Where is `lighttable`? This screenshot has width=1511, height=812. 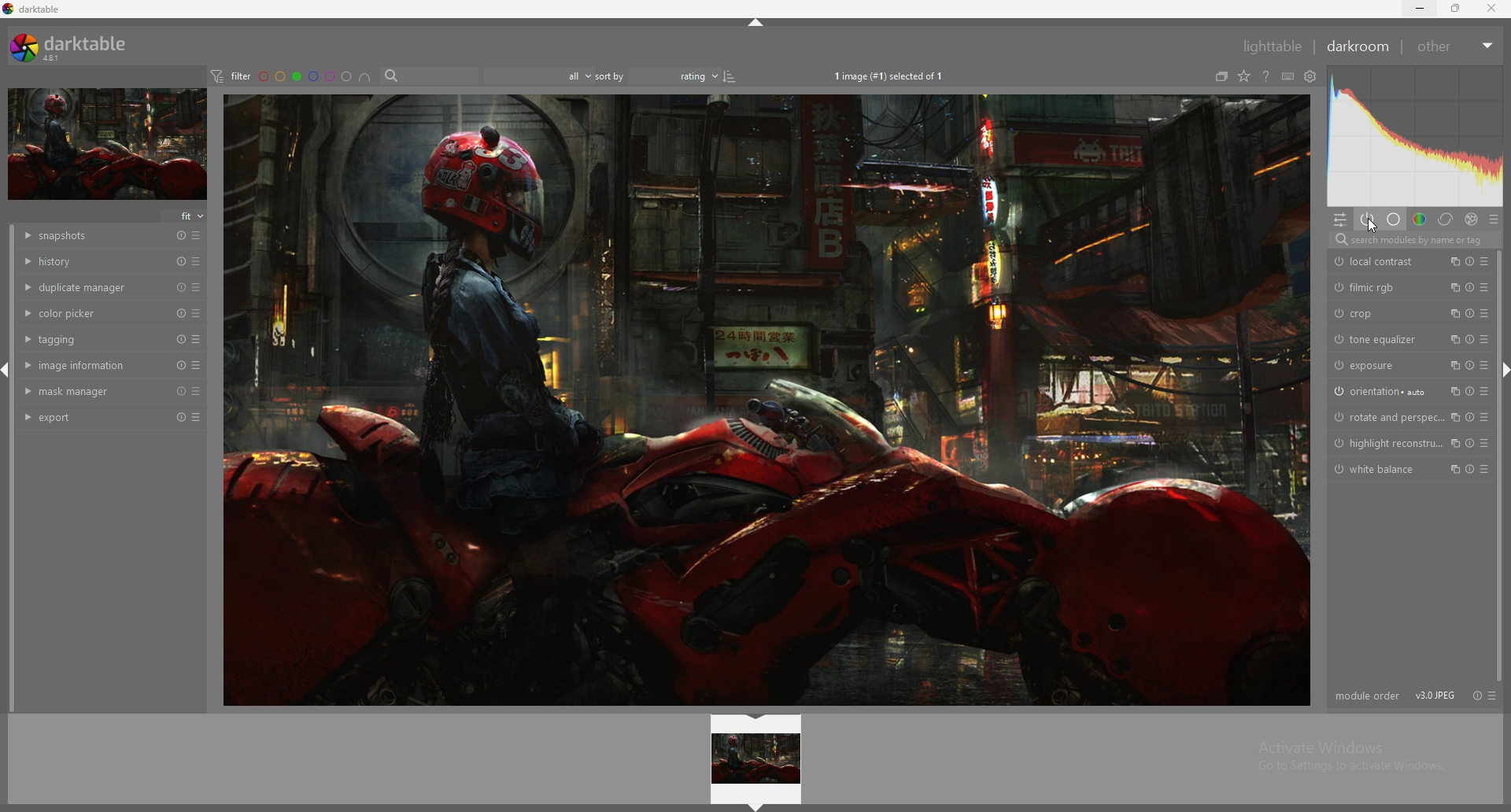
lighttable is located at coordinates (1264, 46).